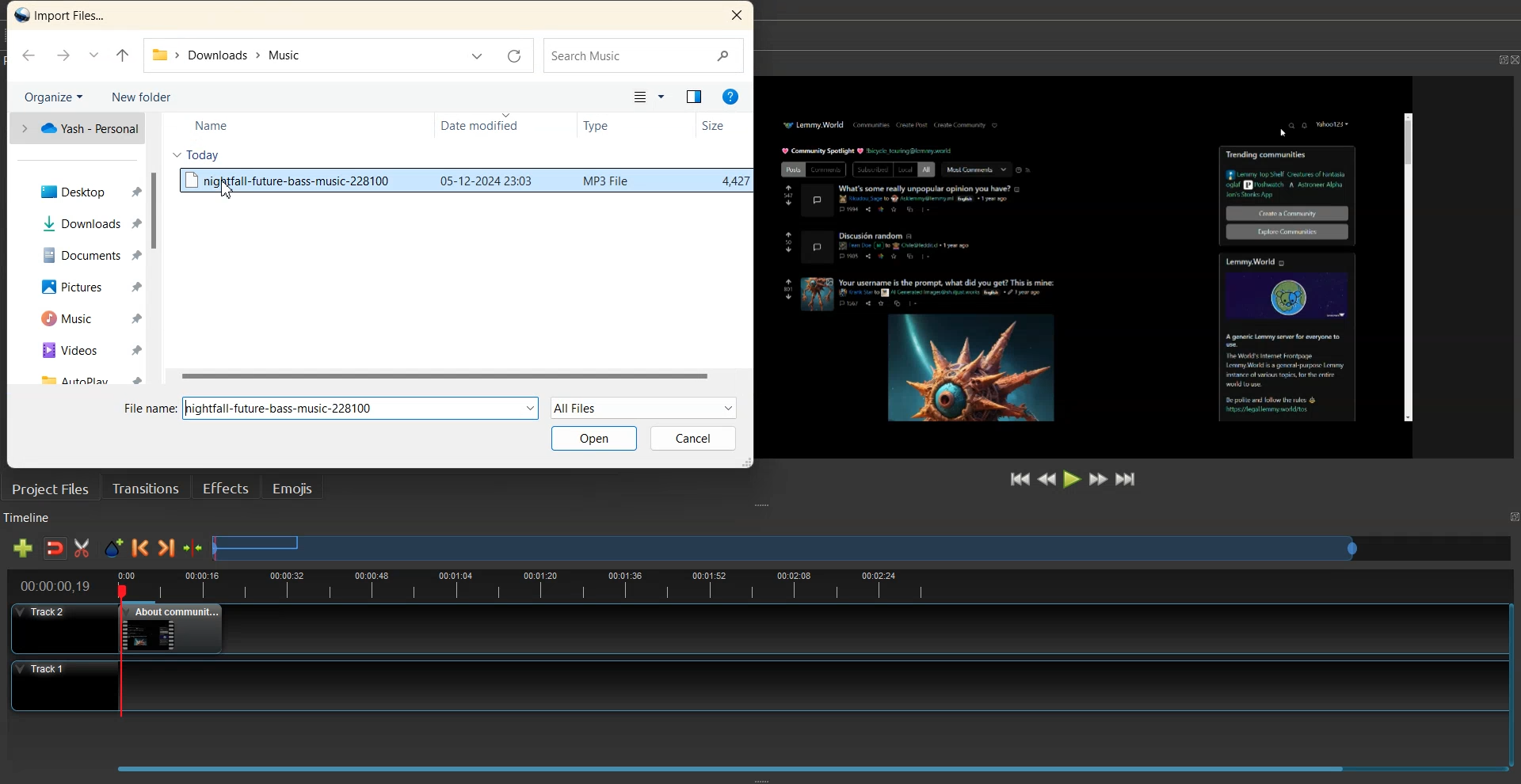 This screenshot has height=784, width=1521. Describe the element at coordinates (40, 687) in the screenshot. I see `Track 1` at that location.